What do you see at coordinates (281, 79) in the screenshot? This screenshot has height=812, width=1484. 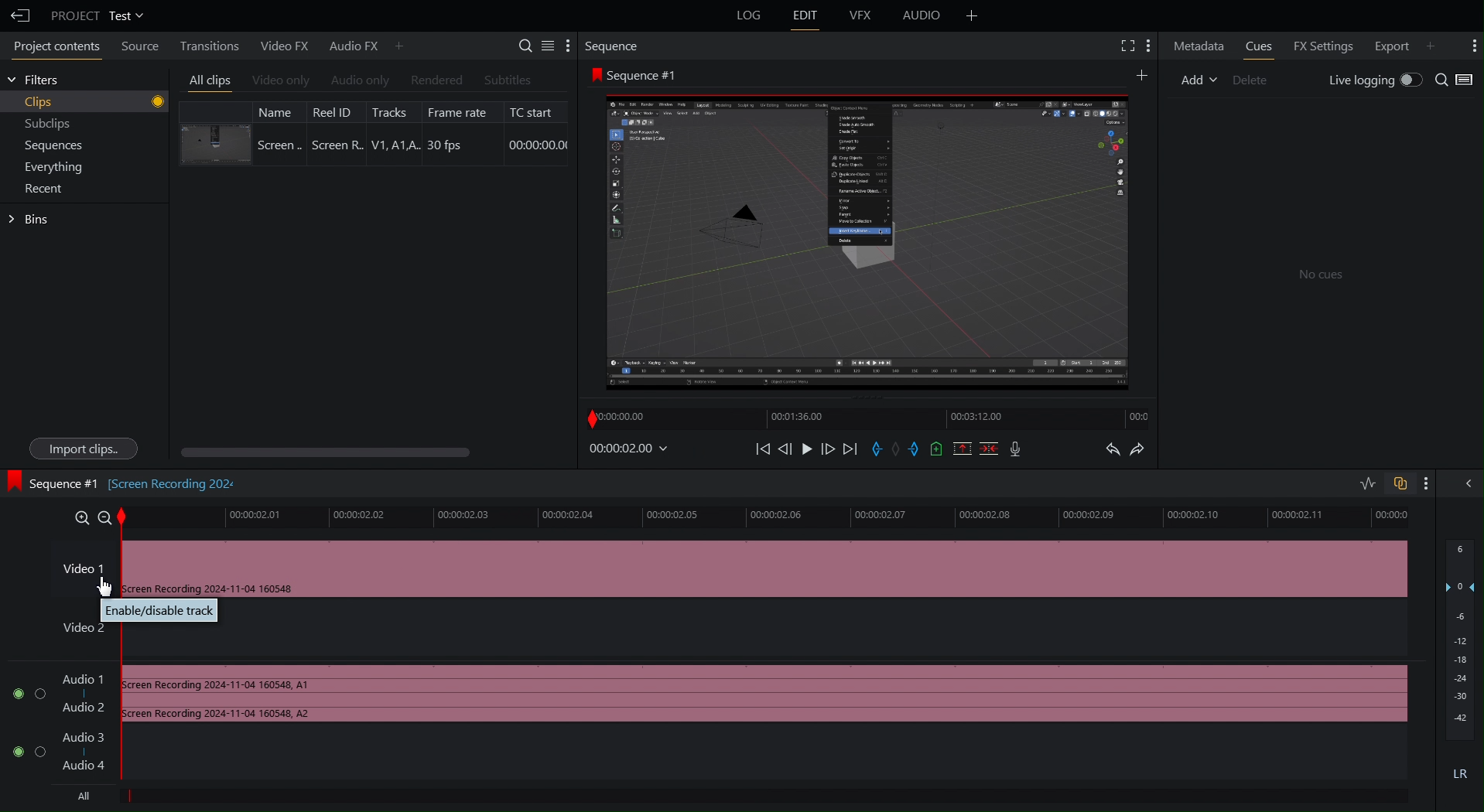 I see `Video Only` at bounding box center [281, 79].